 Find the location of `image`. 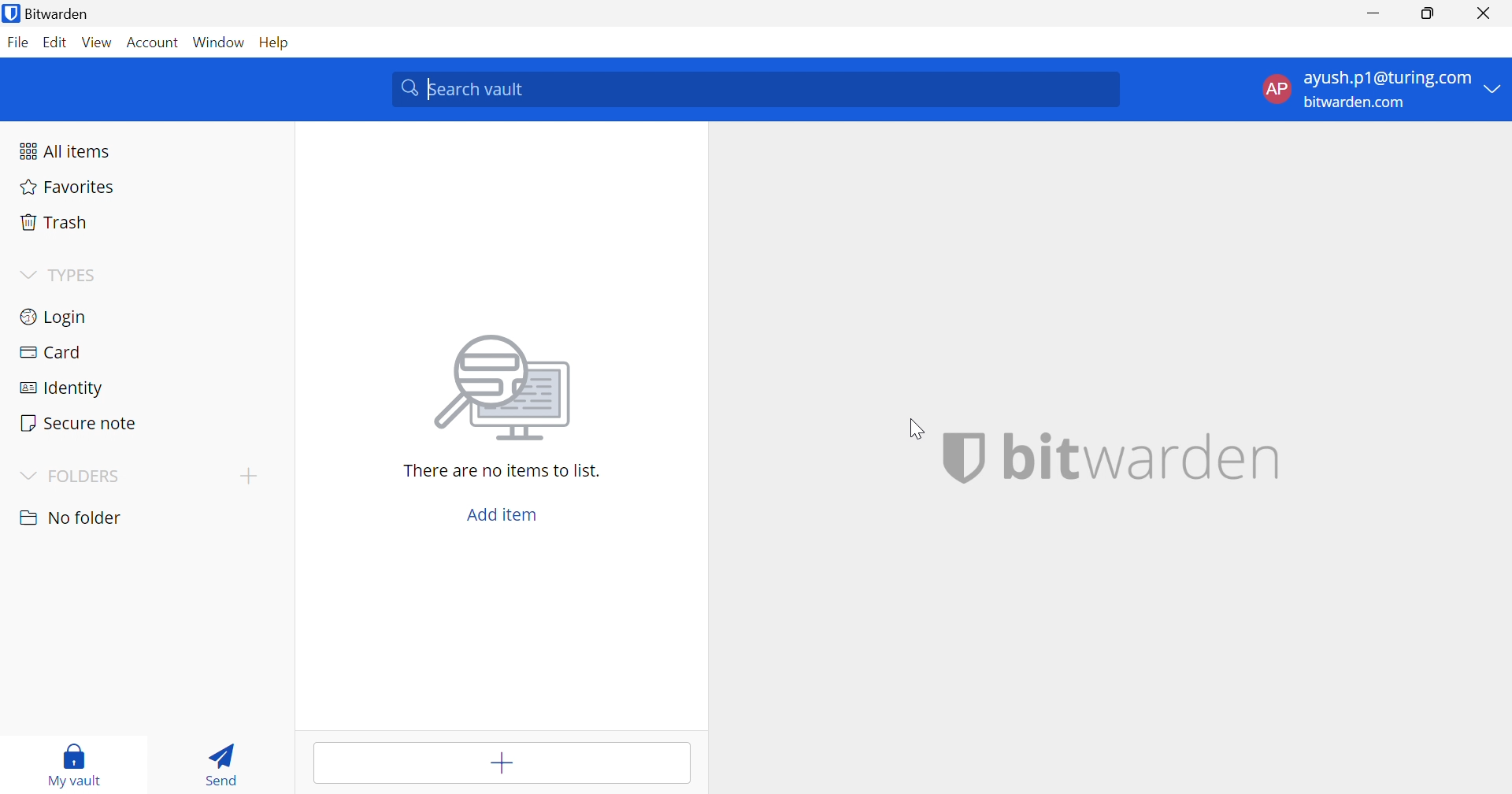

image is located at coordinates (506, 389).